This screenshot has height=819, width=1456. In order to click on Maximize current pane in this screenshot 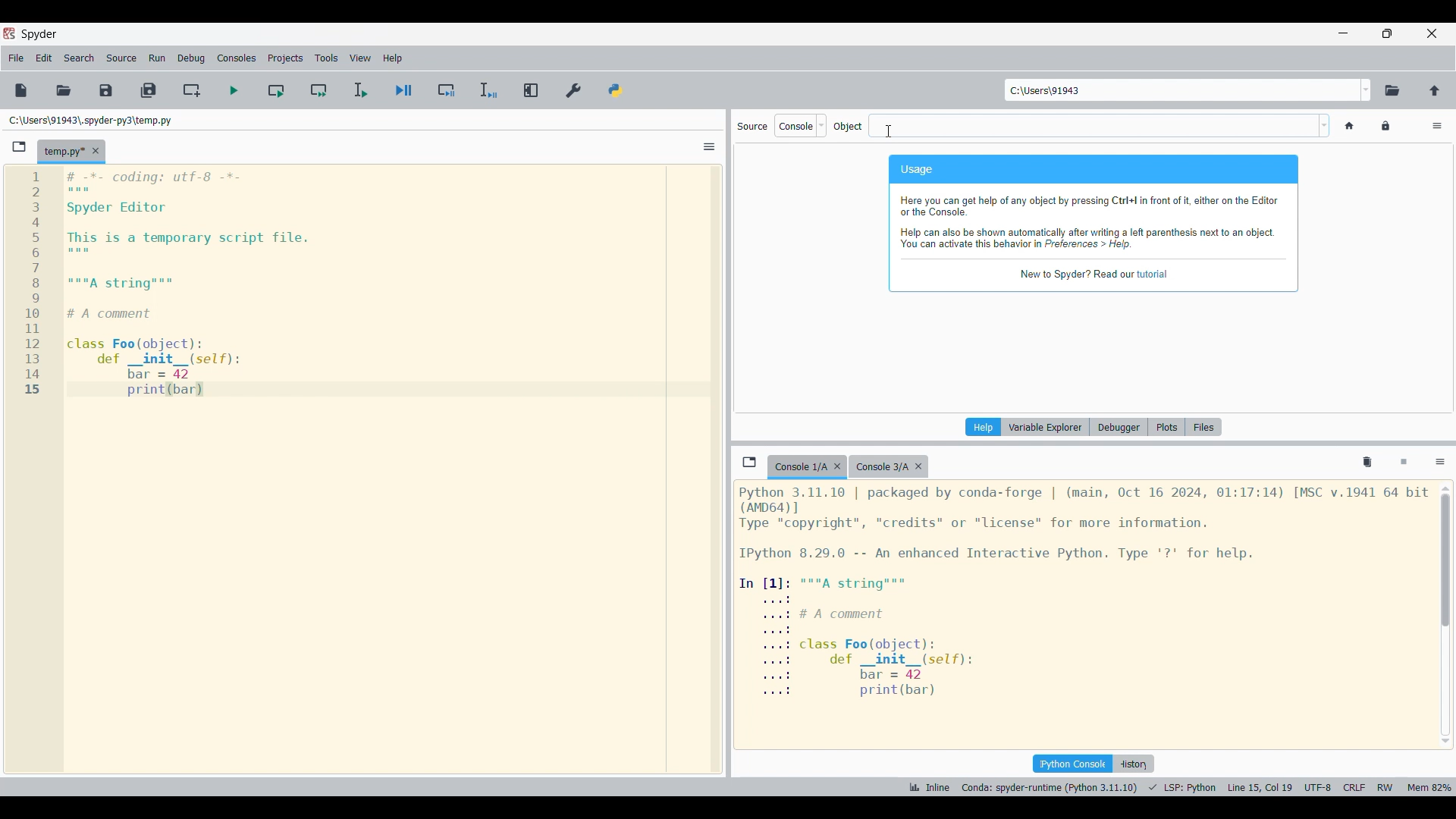, I will do `click(532, 90)`.